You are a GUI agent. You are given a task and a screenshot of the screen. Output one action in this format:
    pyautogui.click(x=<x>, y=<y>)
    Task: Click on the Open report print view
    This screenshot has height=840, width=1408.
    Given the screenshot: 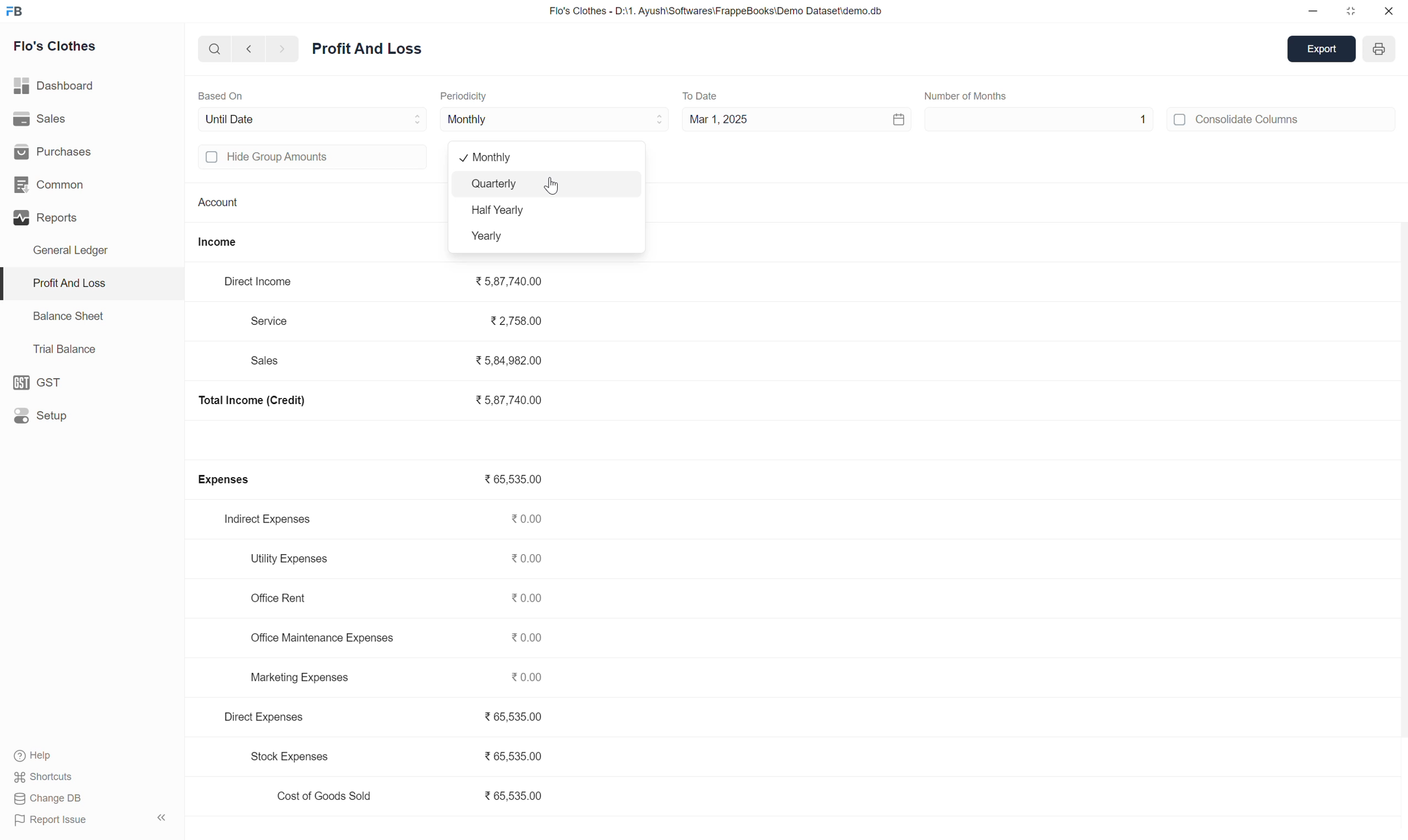 What is the action you would take?
    pyautogui.click(x=1377, y=49)
    